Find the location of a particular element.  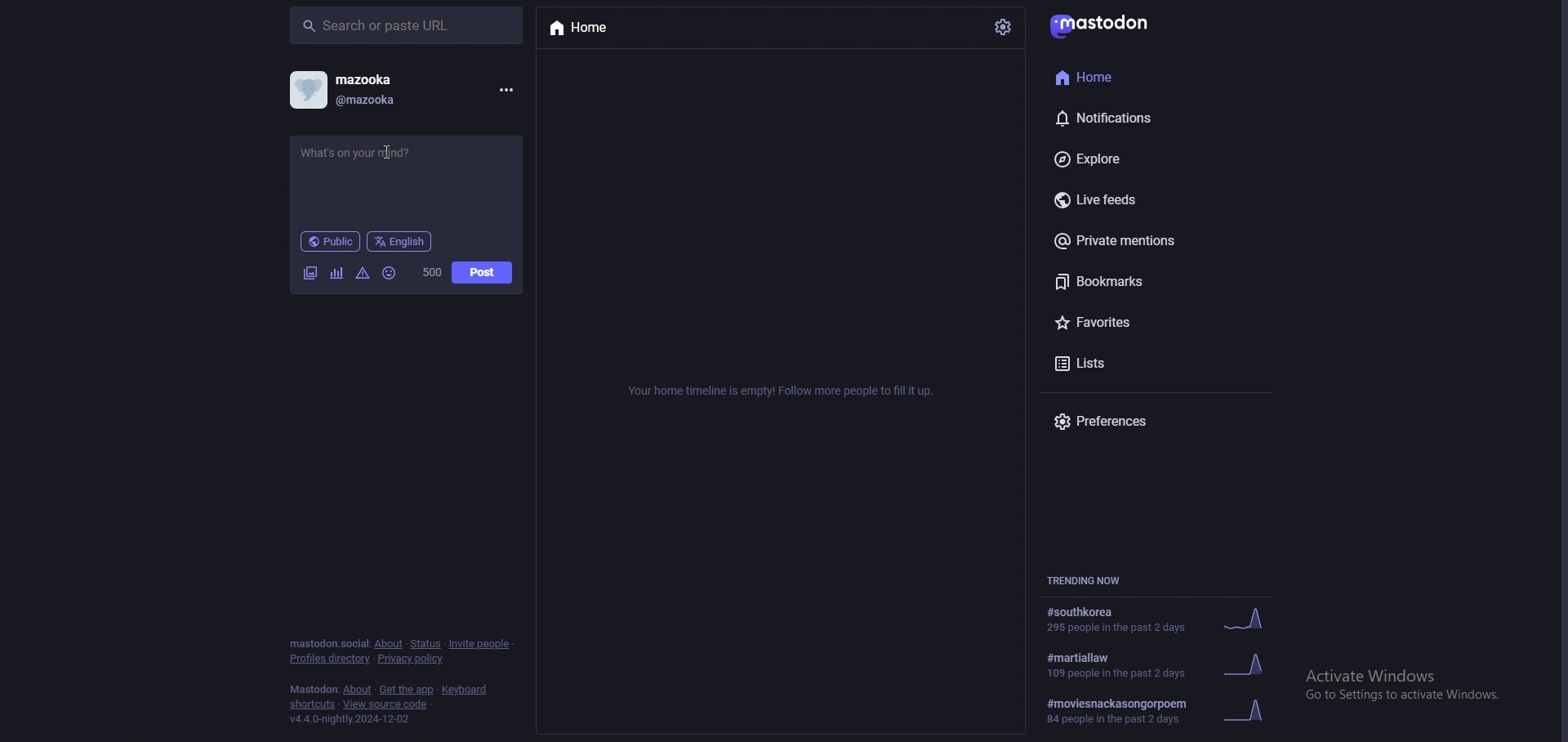

status is located at coordinates (404, 180).